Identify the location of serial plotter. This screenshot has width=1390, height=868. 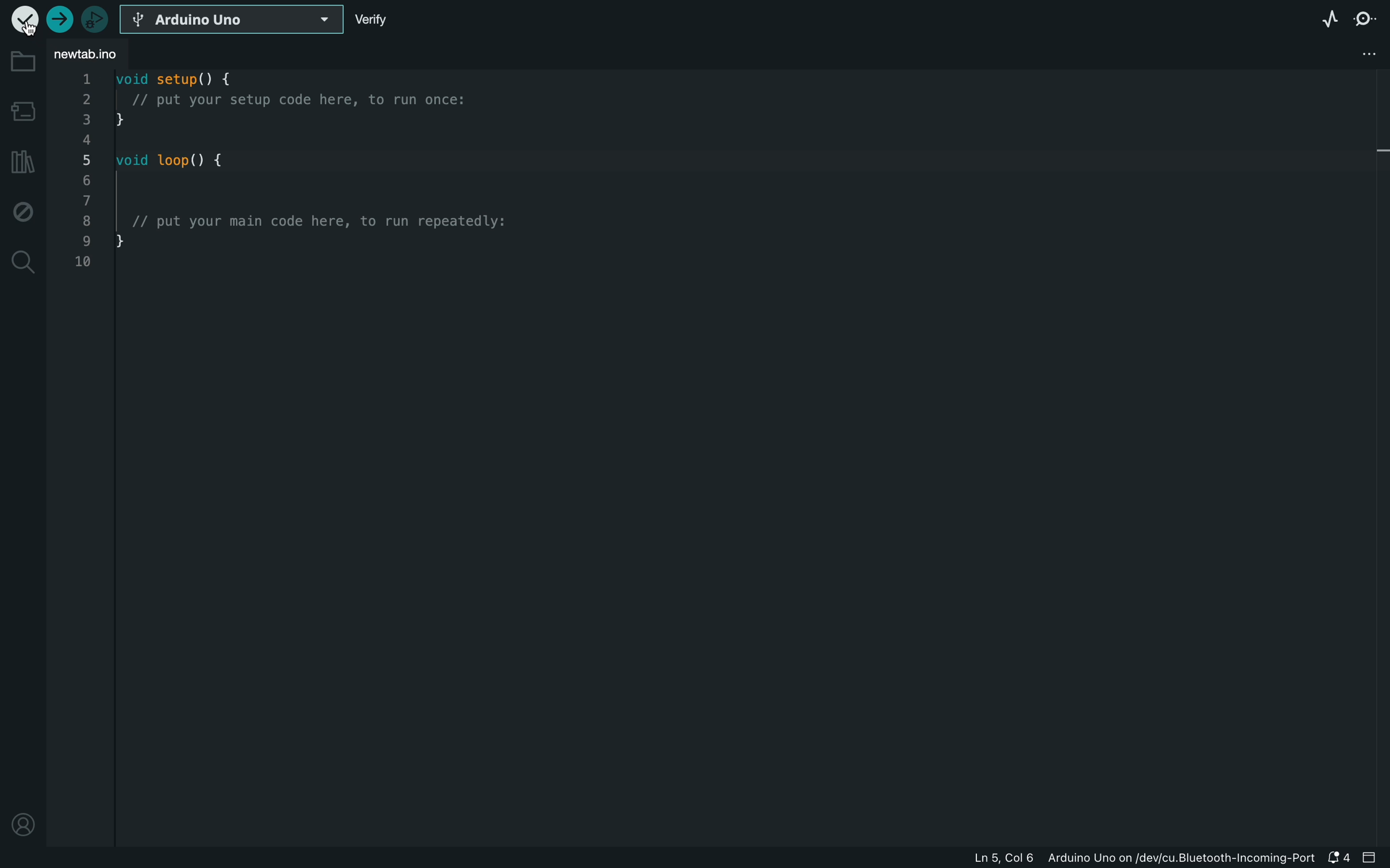
(1327, 21).